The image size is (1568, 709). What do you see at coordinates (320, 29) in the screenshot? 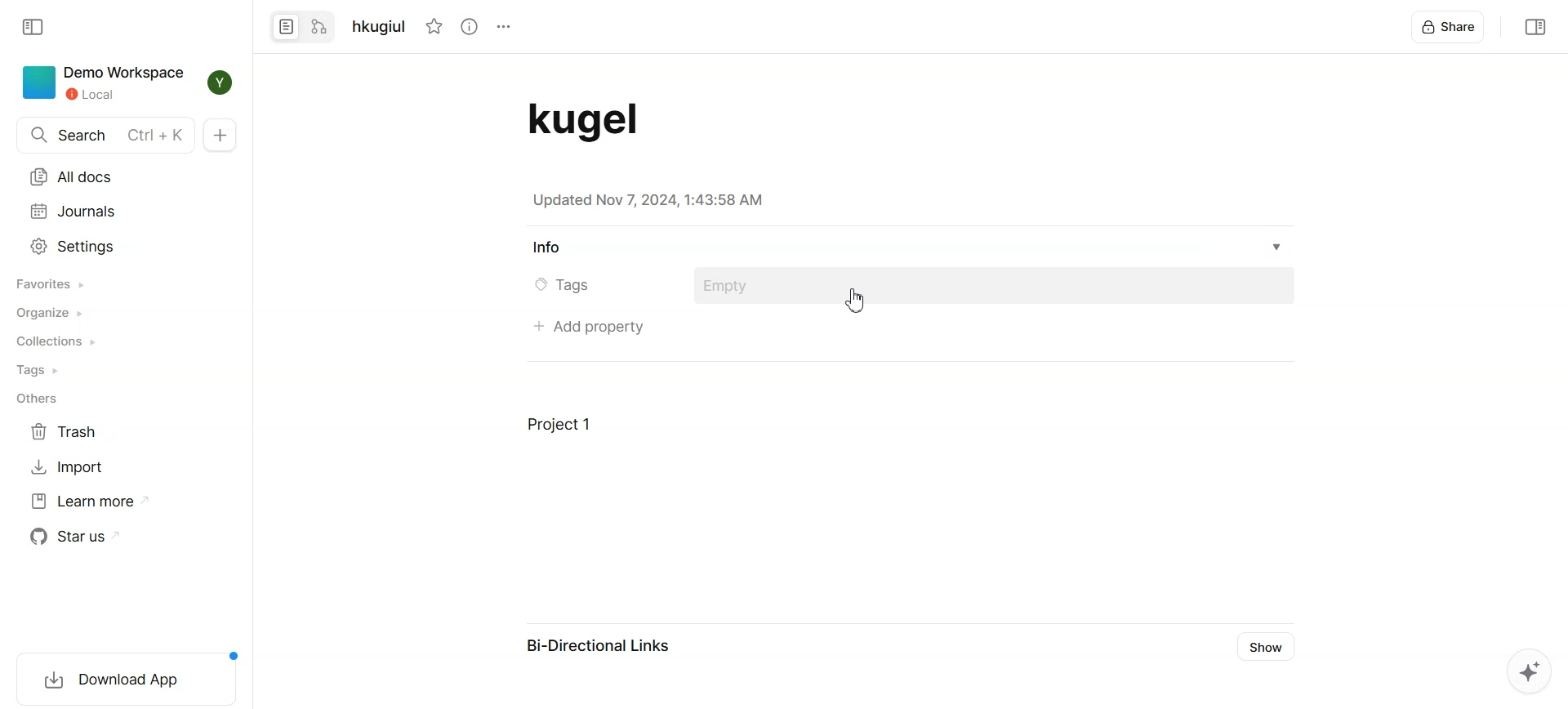
I see `Convert to edgeless` at bounding box center [320, 29].